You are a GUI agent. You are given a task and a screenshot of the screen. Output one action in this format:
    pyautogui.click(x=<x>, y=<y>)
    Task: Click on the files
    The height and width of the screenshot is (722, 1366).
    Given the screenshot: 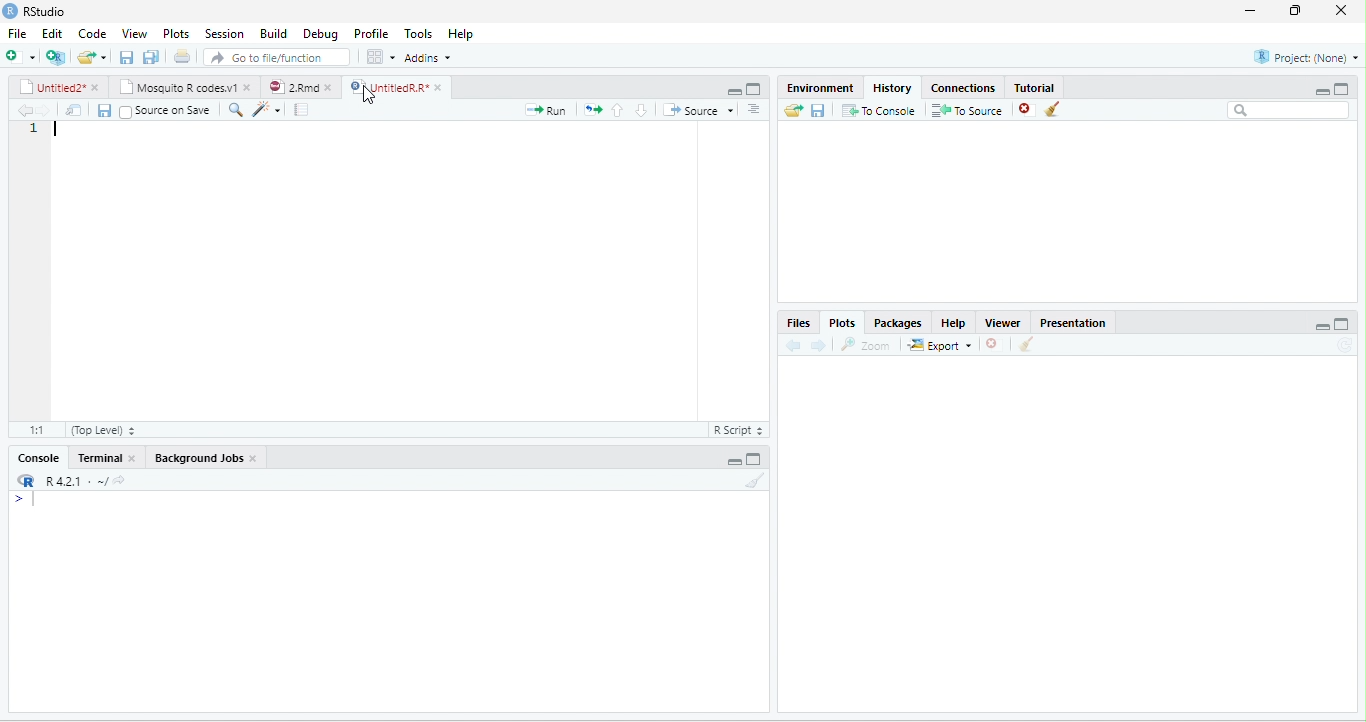 What is the action you would take?
    pyautogui.click(x=69, y=108)
    